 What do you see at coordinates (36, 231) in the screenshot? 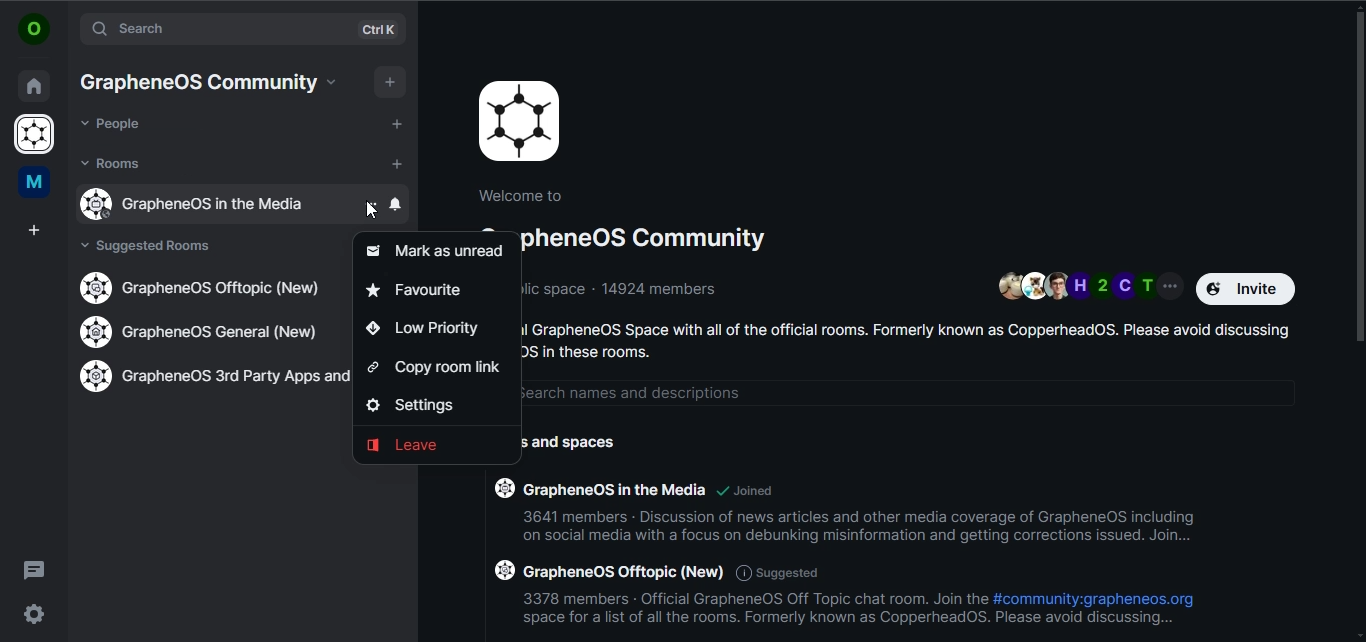
I see `create a space` at bounding box center [36, 231].